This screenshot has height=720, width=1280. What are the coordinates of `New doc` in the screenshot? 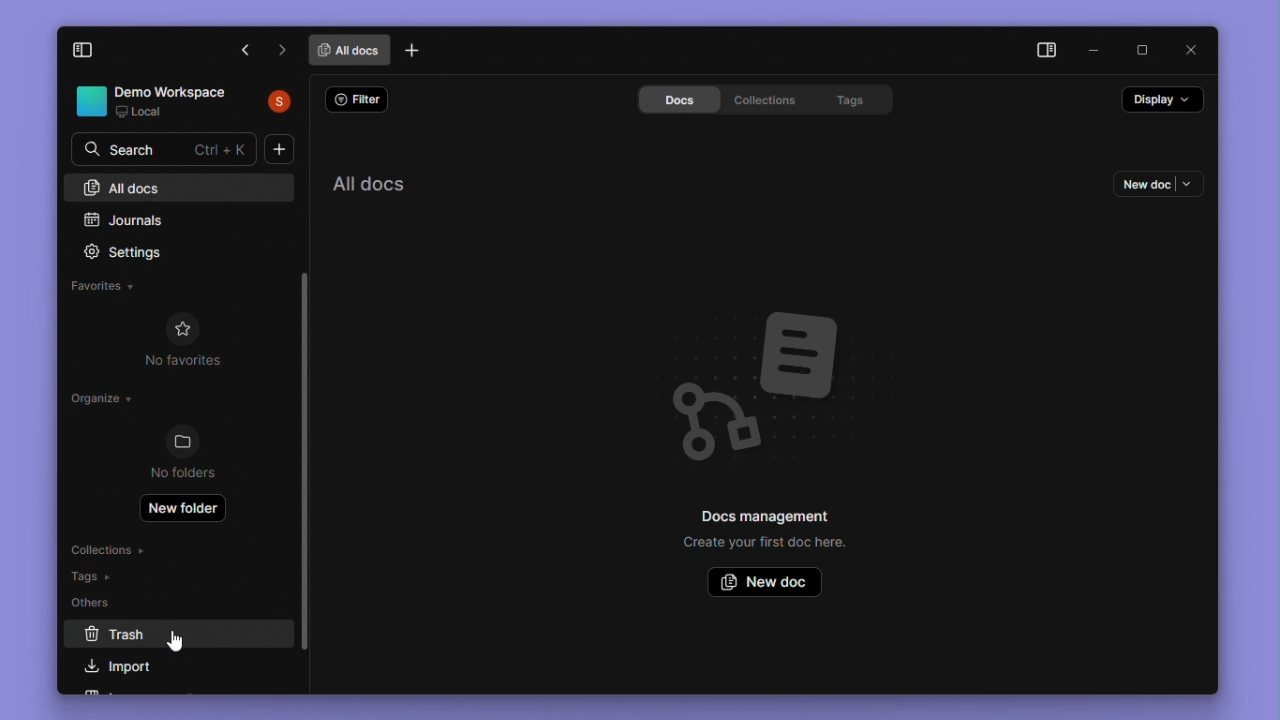 It's located at (767, 581).